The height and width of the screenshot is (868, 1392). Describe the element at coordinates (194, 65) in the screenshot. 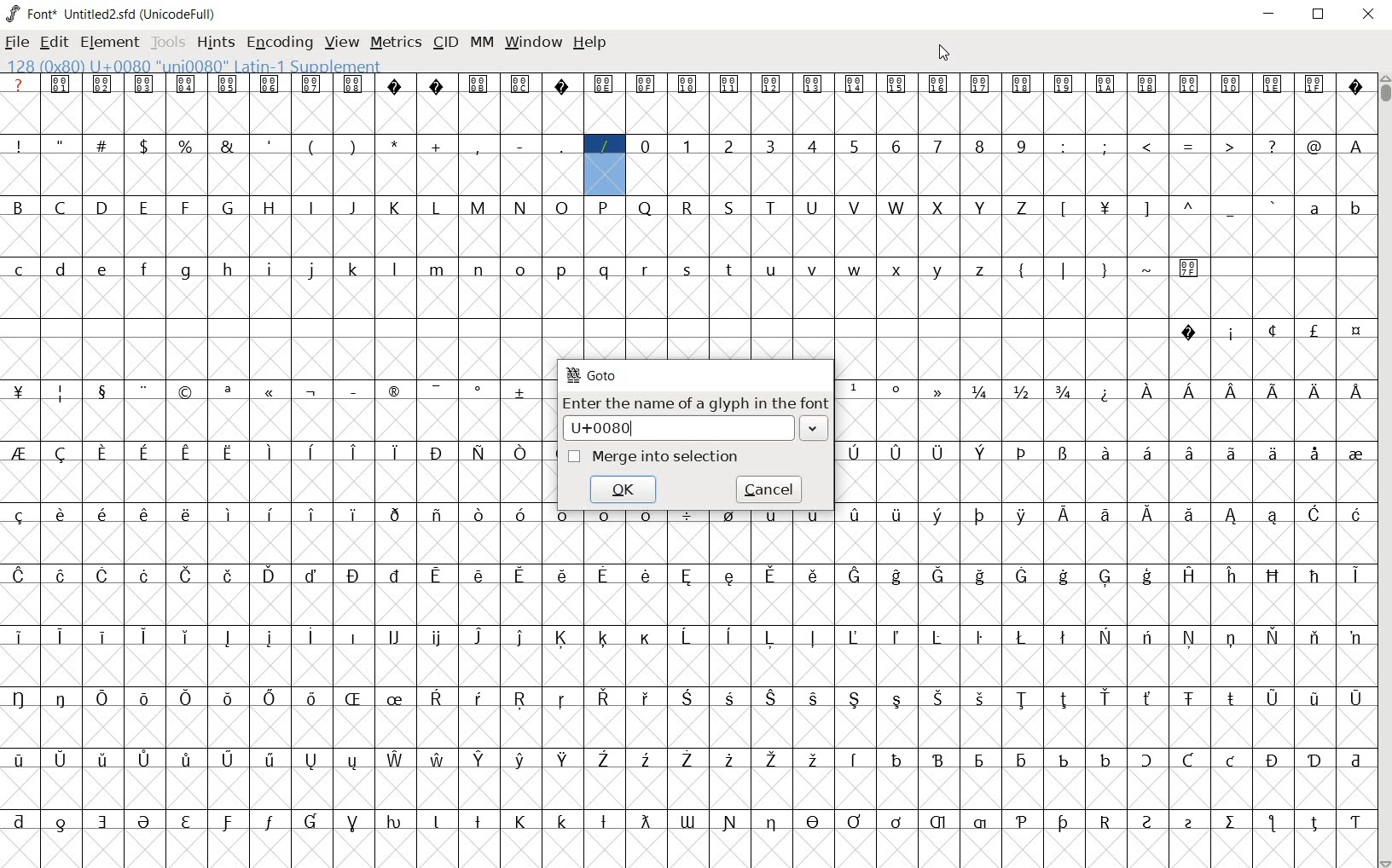

I see `GLYPHY INFO` at that location.